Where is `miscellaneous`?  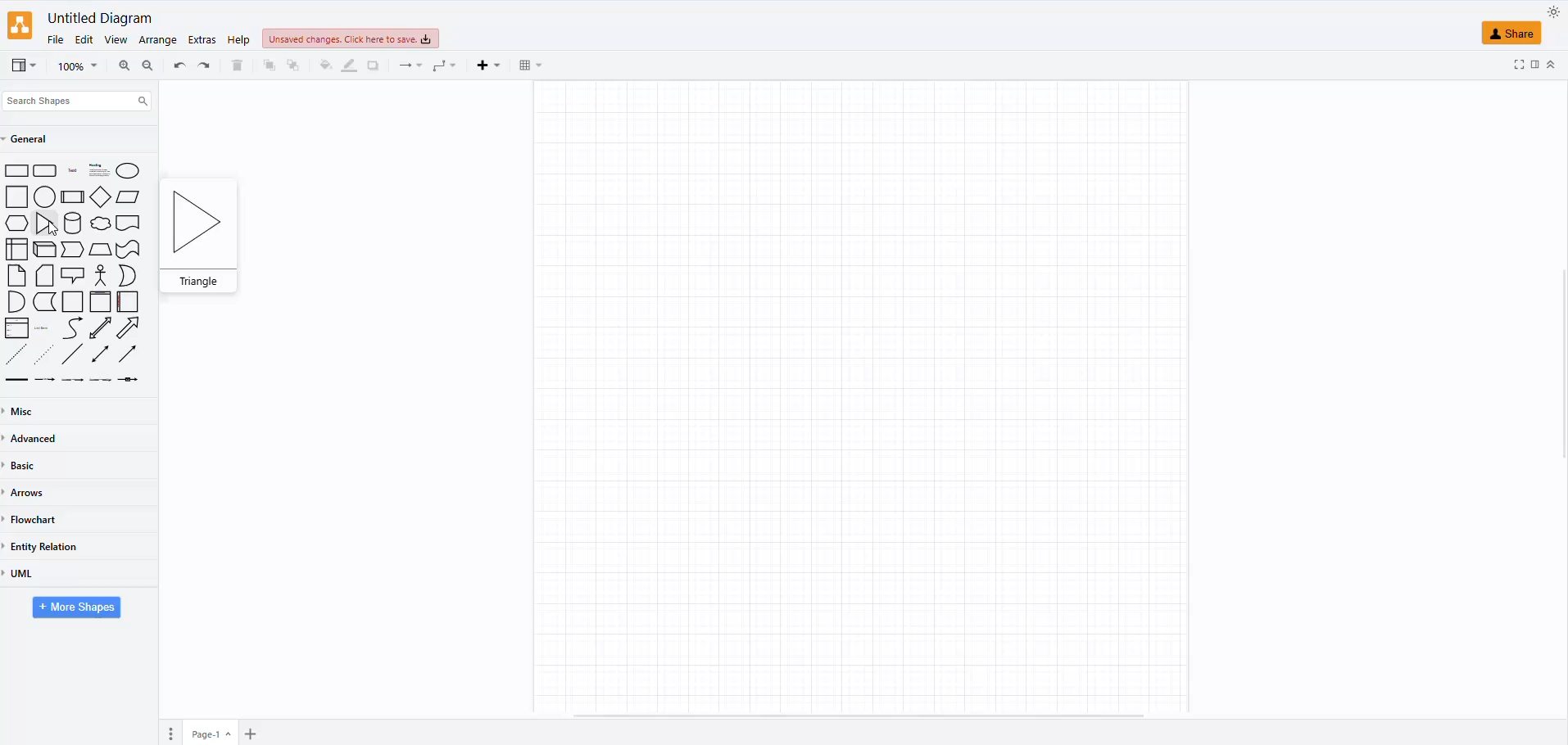
miscellaneous is located at coordinates (27, 409).